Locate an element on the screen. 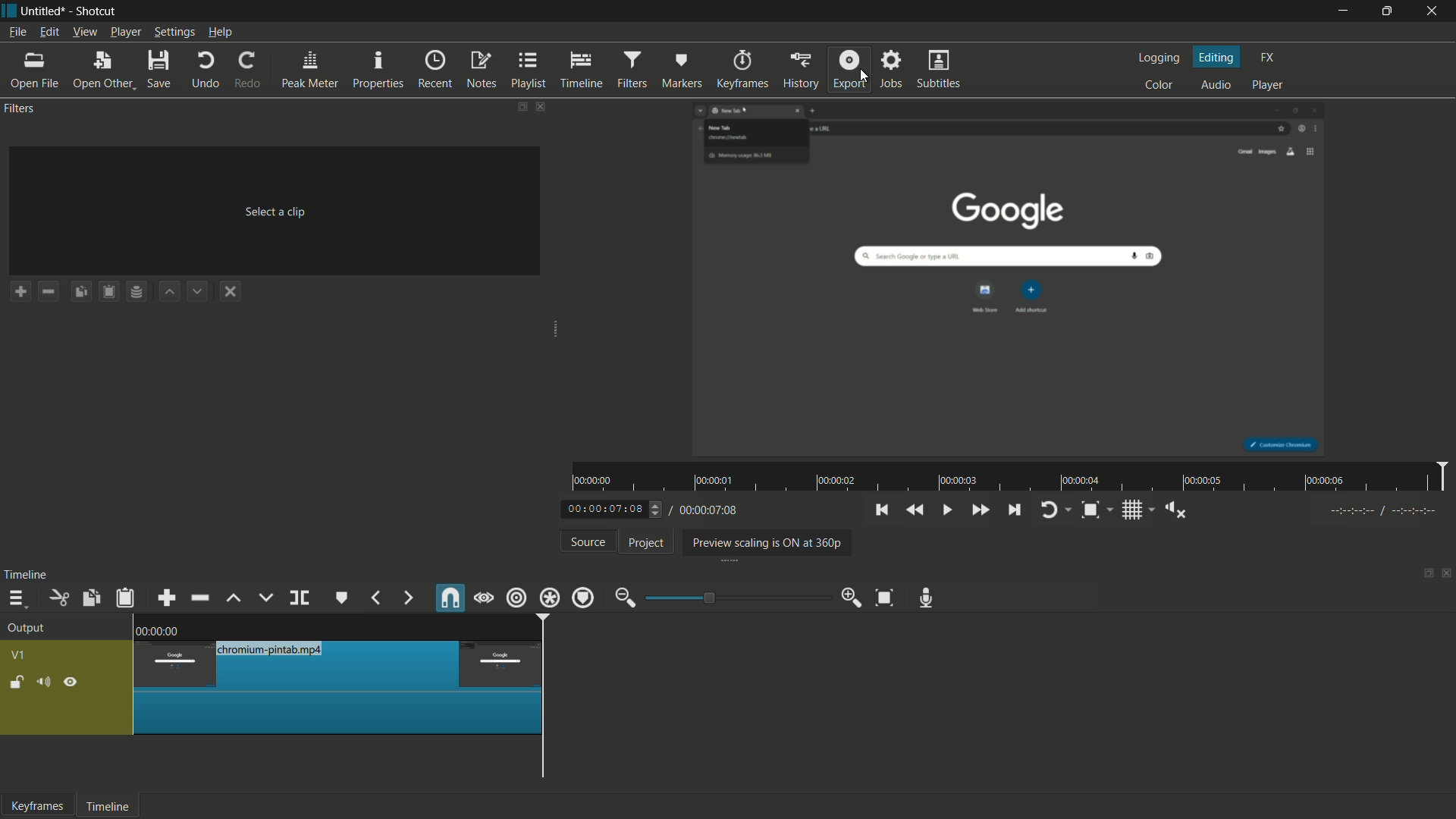 The height and width of the screenshot is (819, 1456). open other is located at coordinates (101, 70).